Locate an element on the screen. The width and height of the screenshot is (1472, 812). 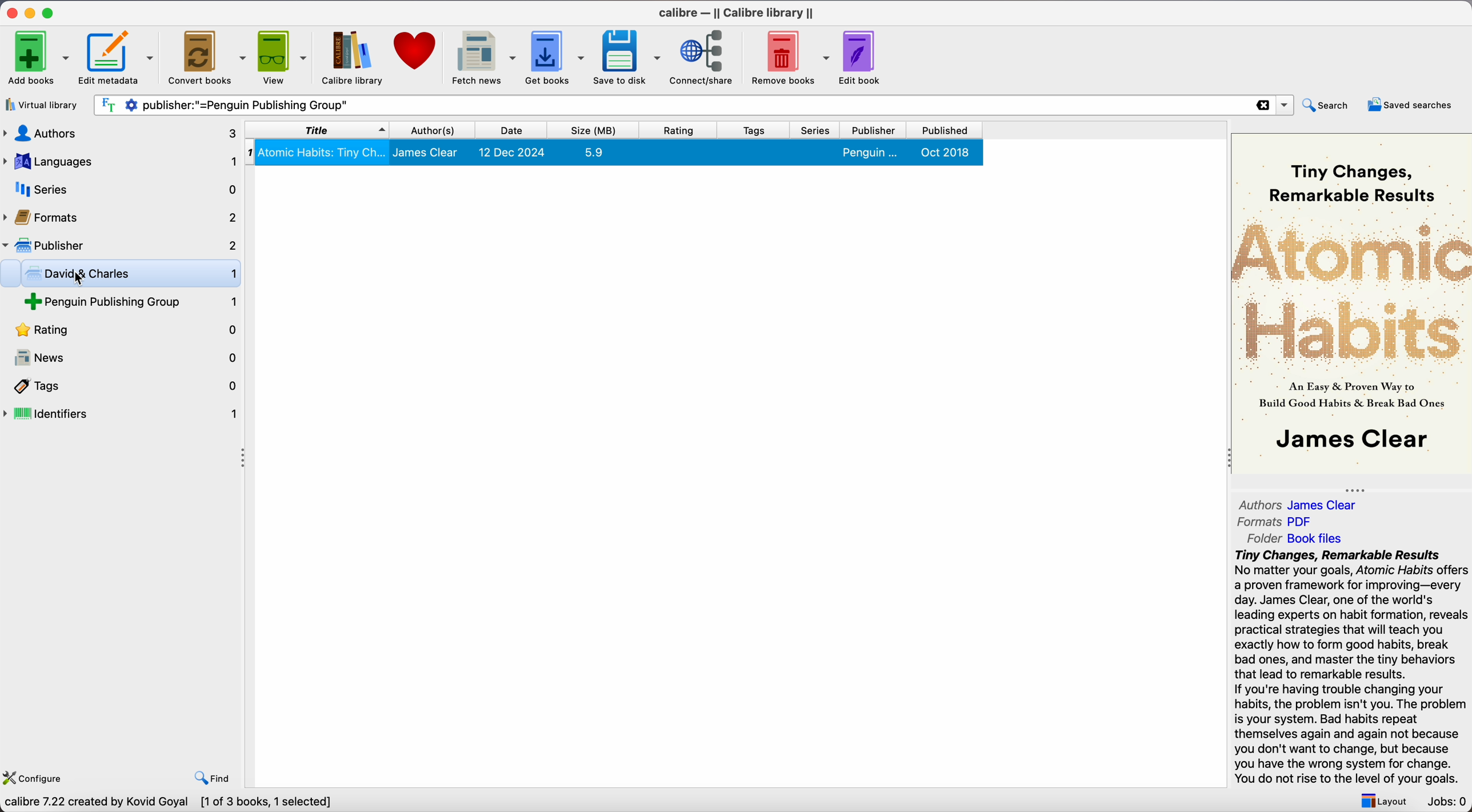
folder Book files is located at coordinates (1296, 539).